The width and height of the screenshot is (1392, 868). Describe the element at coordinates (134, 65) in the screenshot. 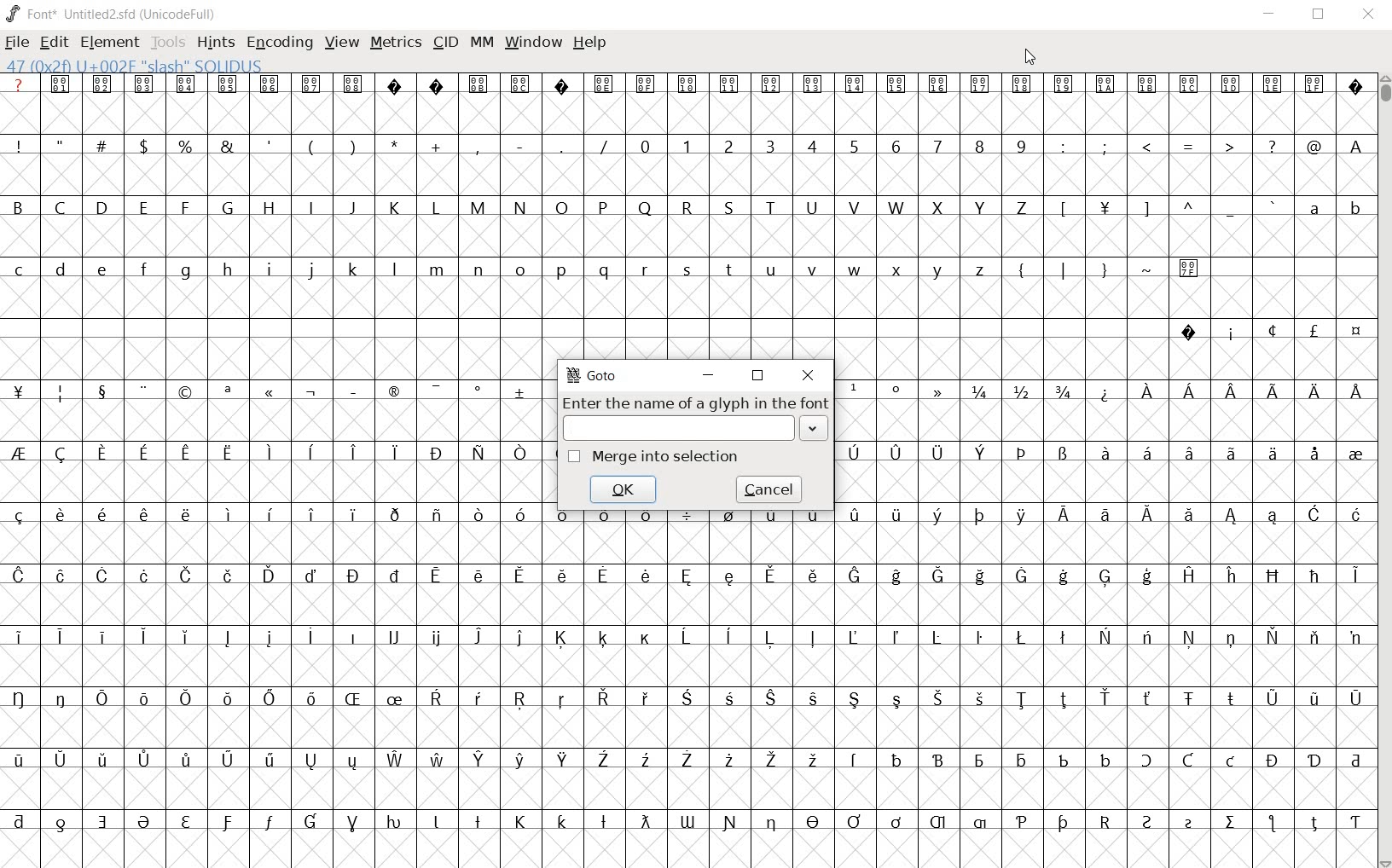

I see `47(0*2f)U+002F "SLASH" SOLIDUS` at that location.